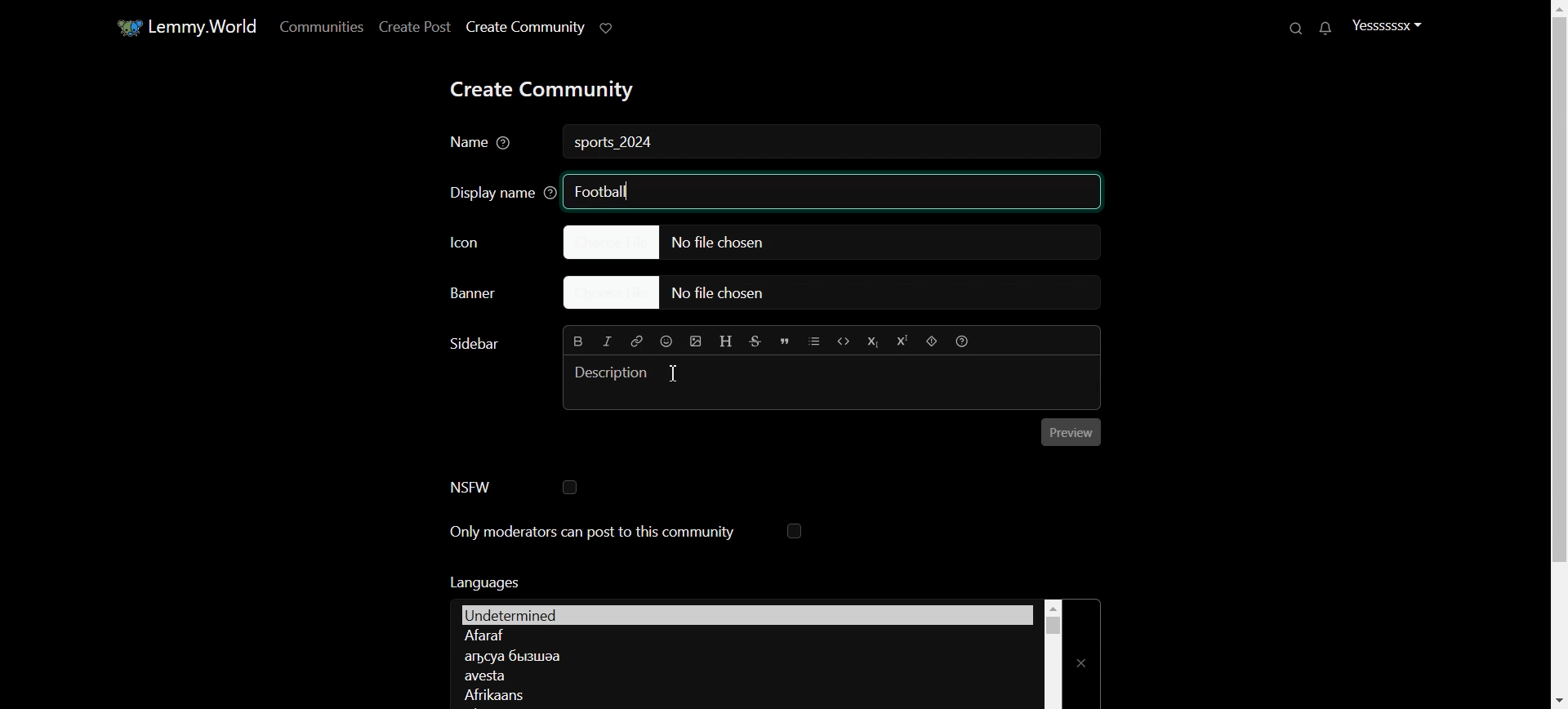  Describe the element at coordinates (1555, 354) in the screenshot. I see `Vertical Scroll bar` at that location.